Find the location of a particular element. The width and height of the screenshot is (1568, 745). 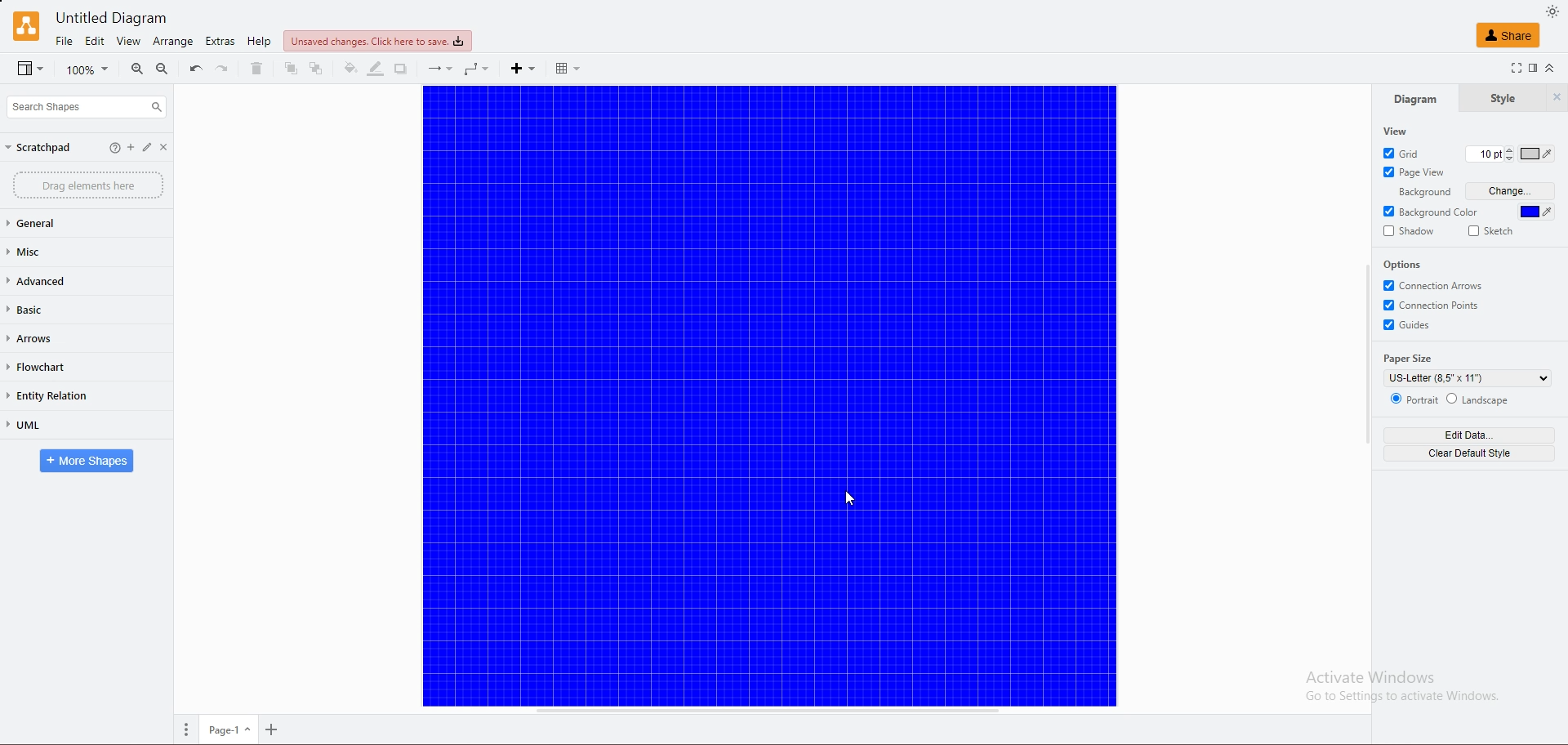

untitled diagram is located at coordinates (119, 17).